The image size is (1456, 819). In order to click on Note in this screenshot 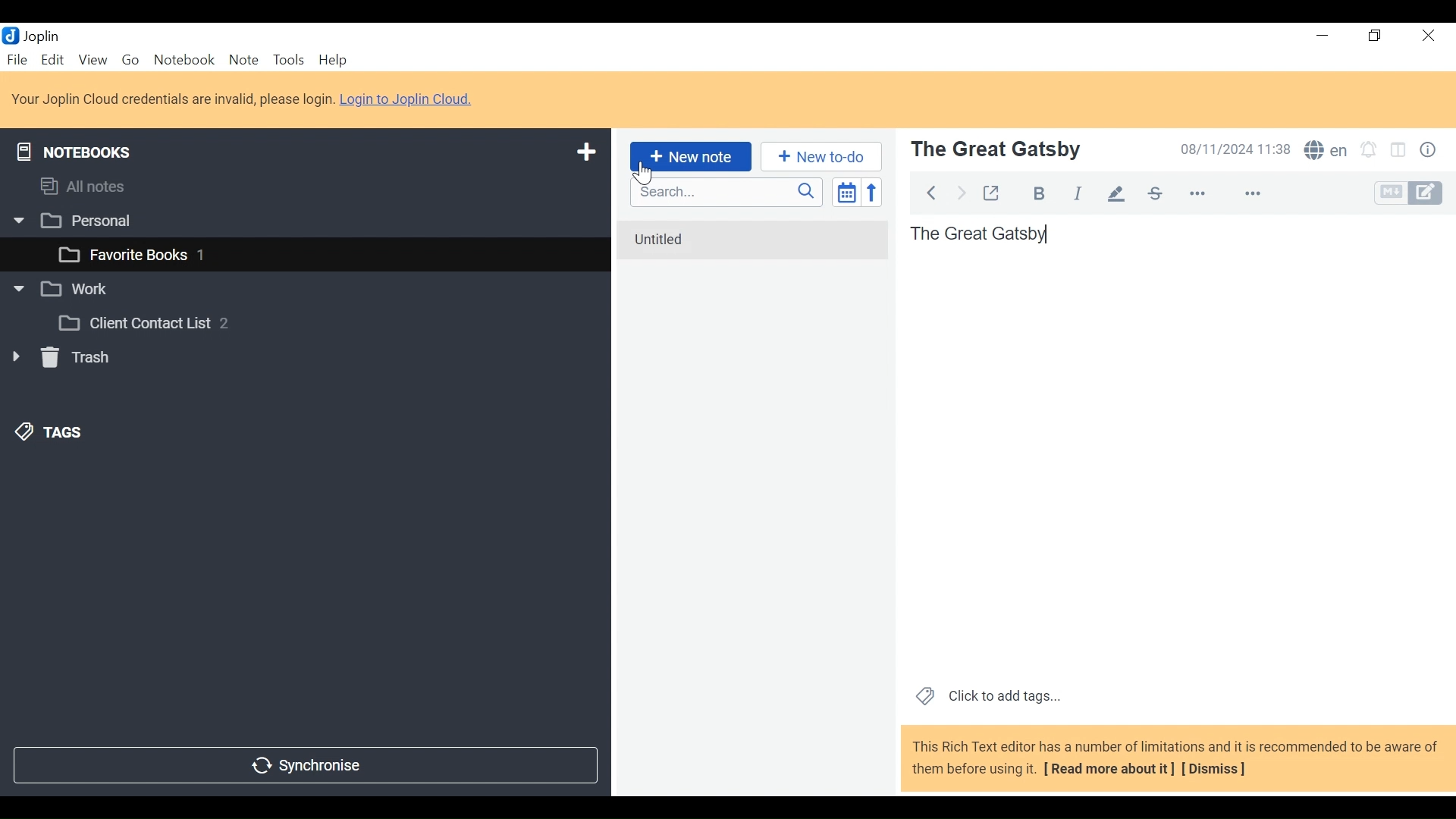, I will do `click(242, 60)`.